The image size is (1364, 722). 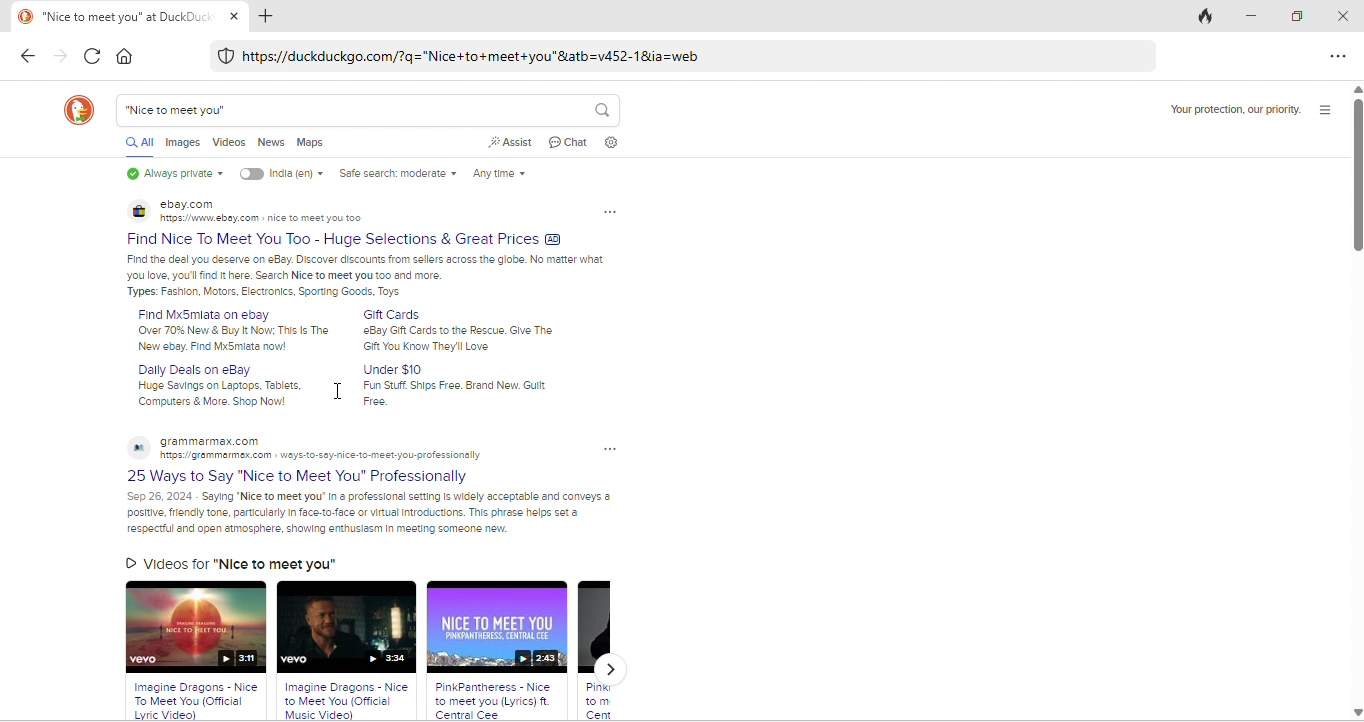 I want to click on y cbevcom
hps:/iwww.abey.com » nice 10 meet you 100, so click(x=187, y=204).